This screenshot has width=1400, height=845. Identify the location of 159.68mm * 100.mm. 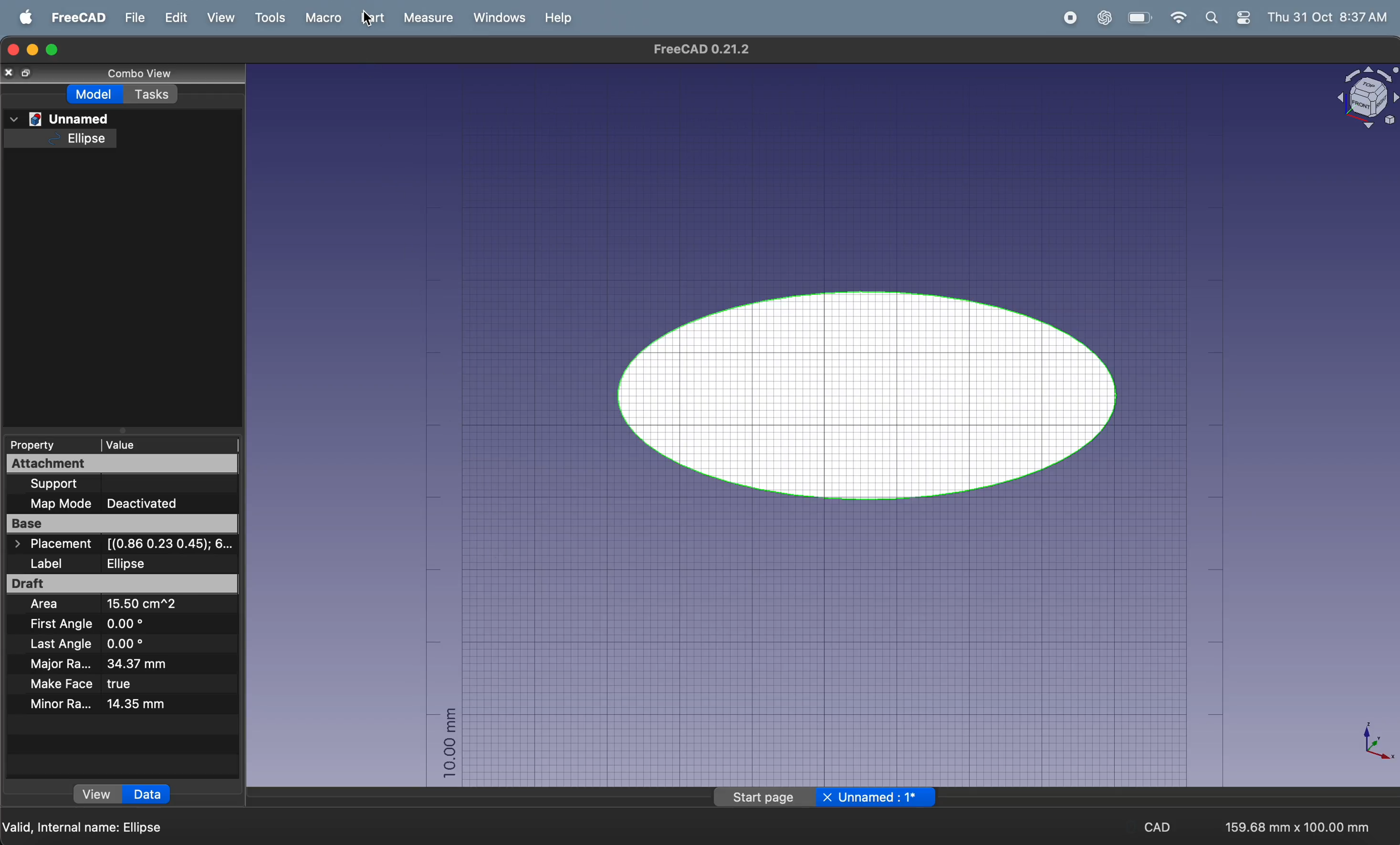
(1294, 823).